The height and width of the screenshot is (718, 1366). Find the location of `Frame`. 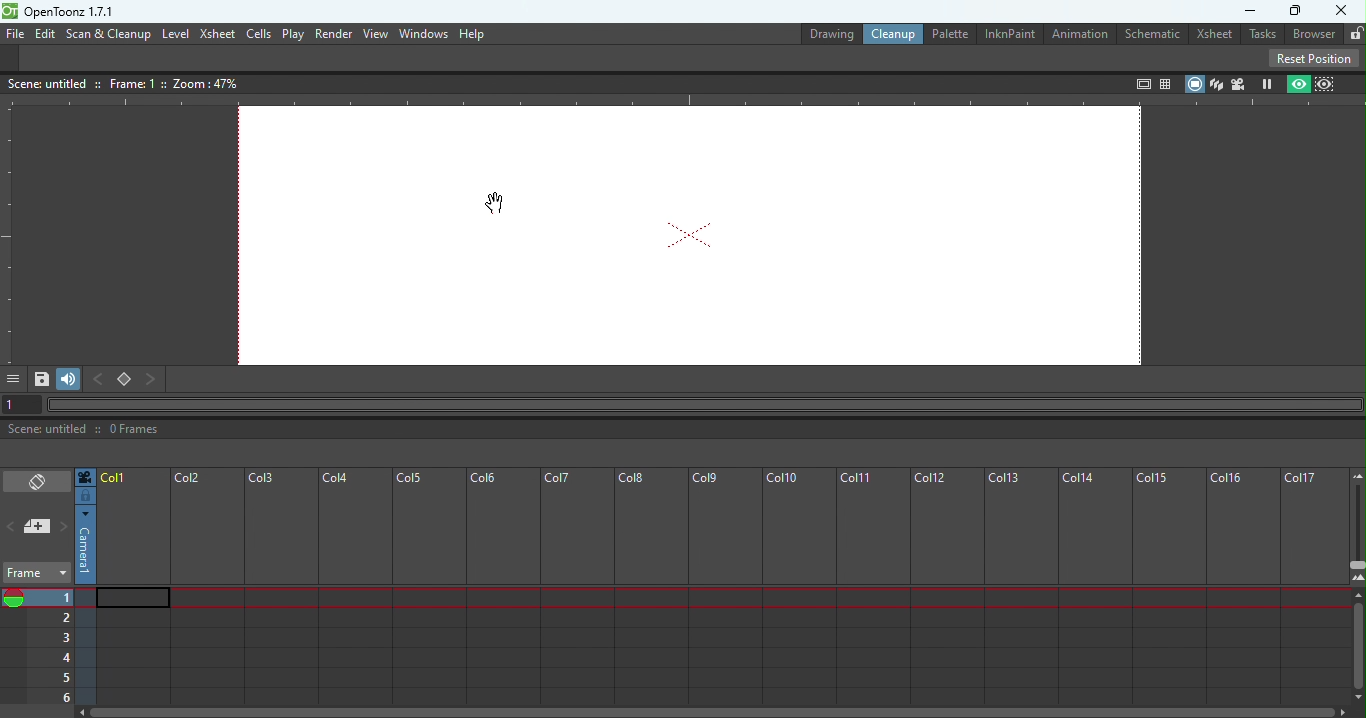

Frame is located at coordinates (38, 564).